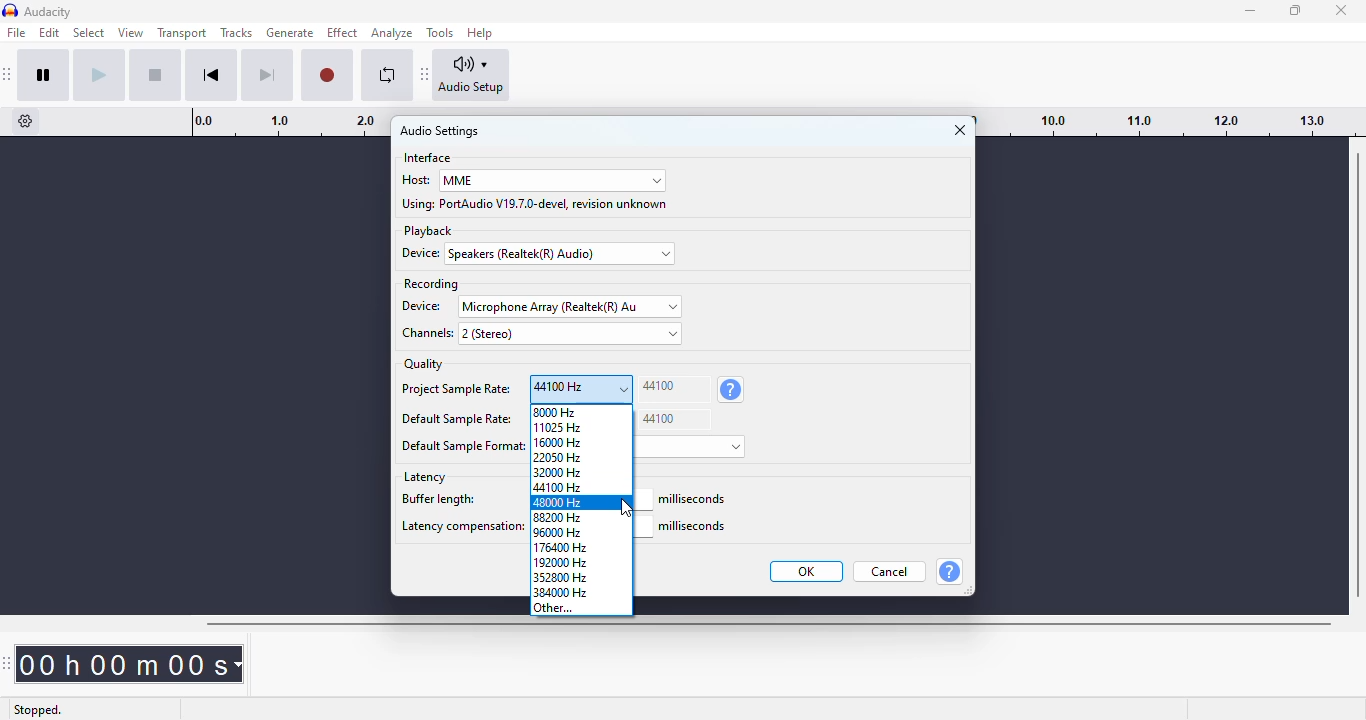  Describe the element at coordinates (388, 75) in the screenshot. I see `enable looping` at that location.